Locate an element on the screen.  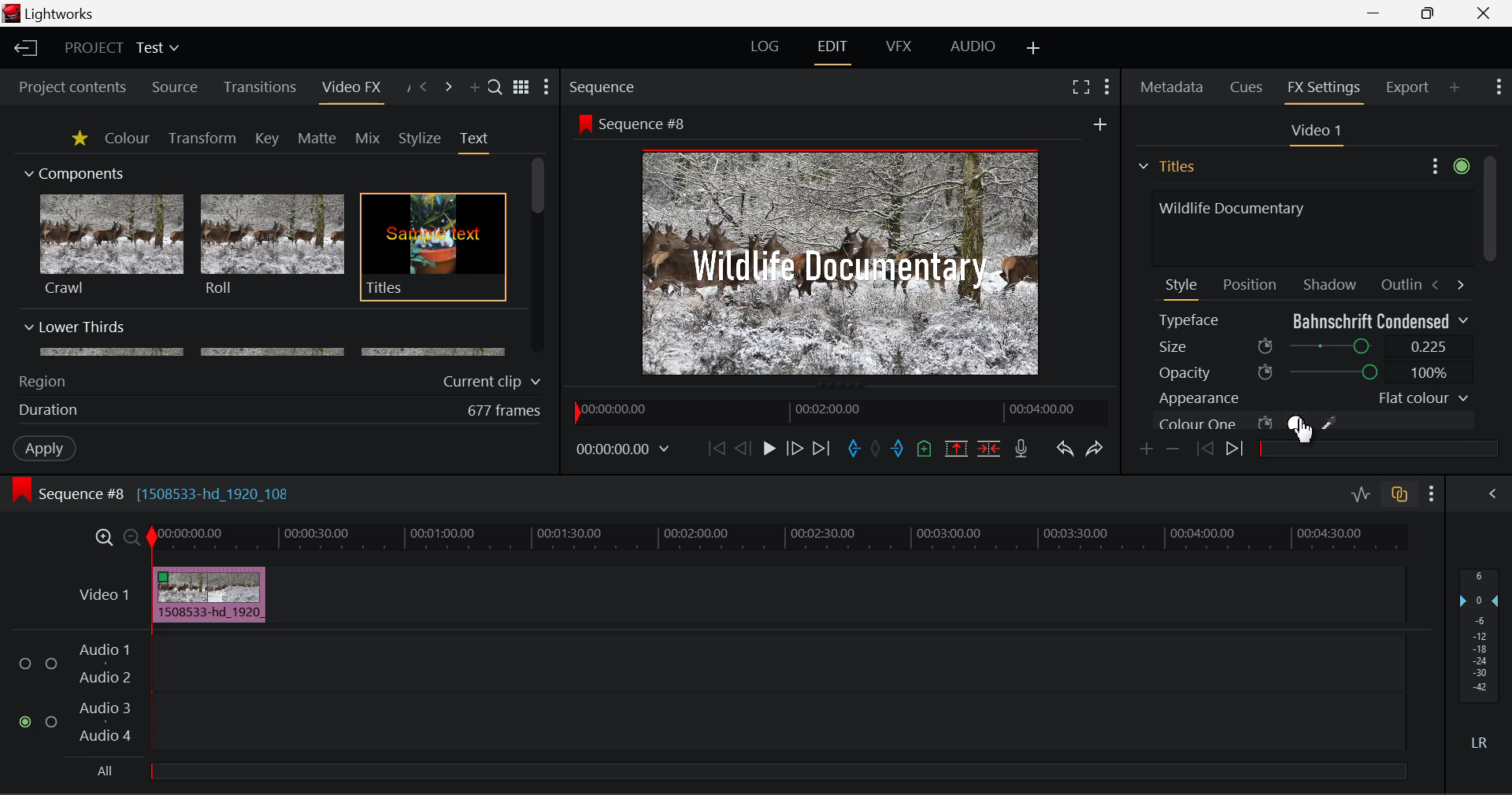
Frame Time is located at coordinates (624, 451).